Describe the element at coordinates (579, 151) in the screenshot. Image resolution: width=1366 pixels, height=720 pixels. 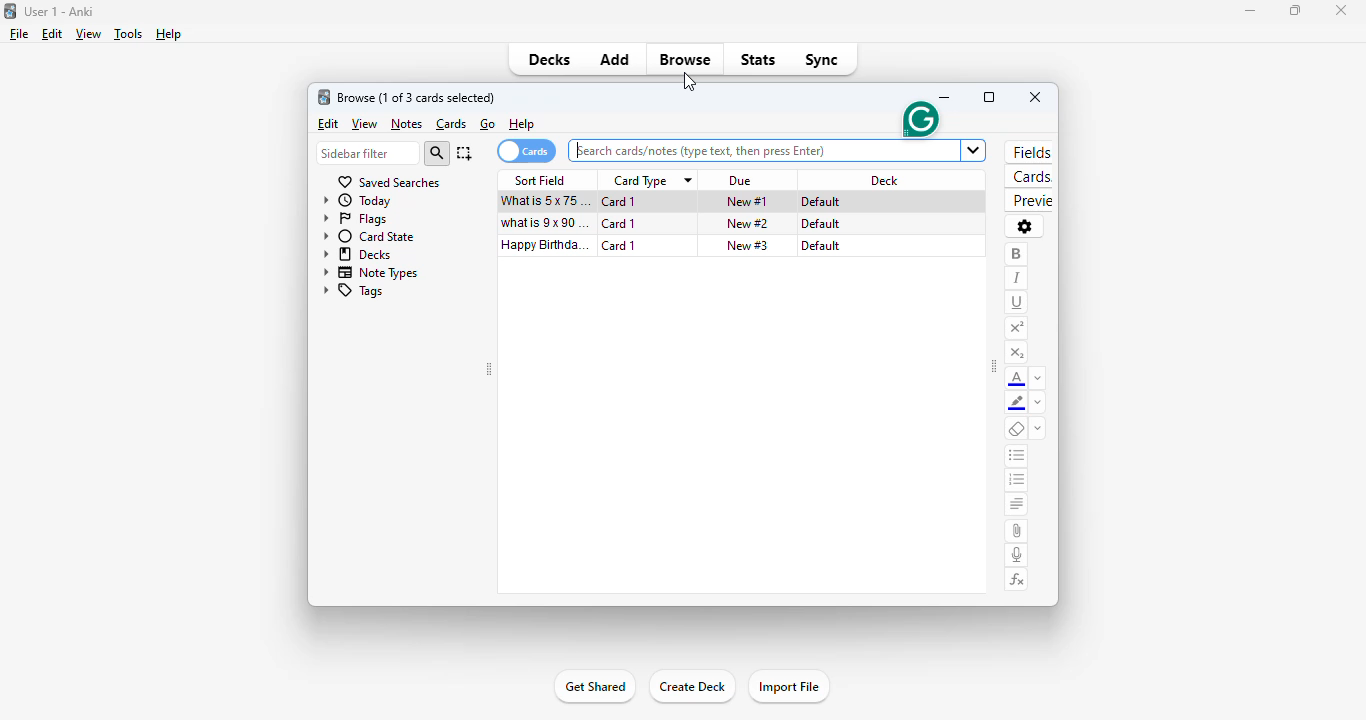
I see `cursor typing` at that location.